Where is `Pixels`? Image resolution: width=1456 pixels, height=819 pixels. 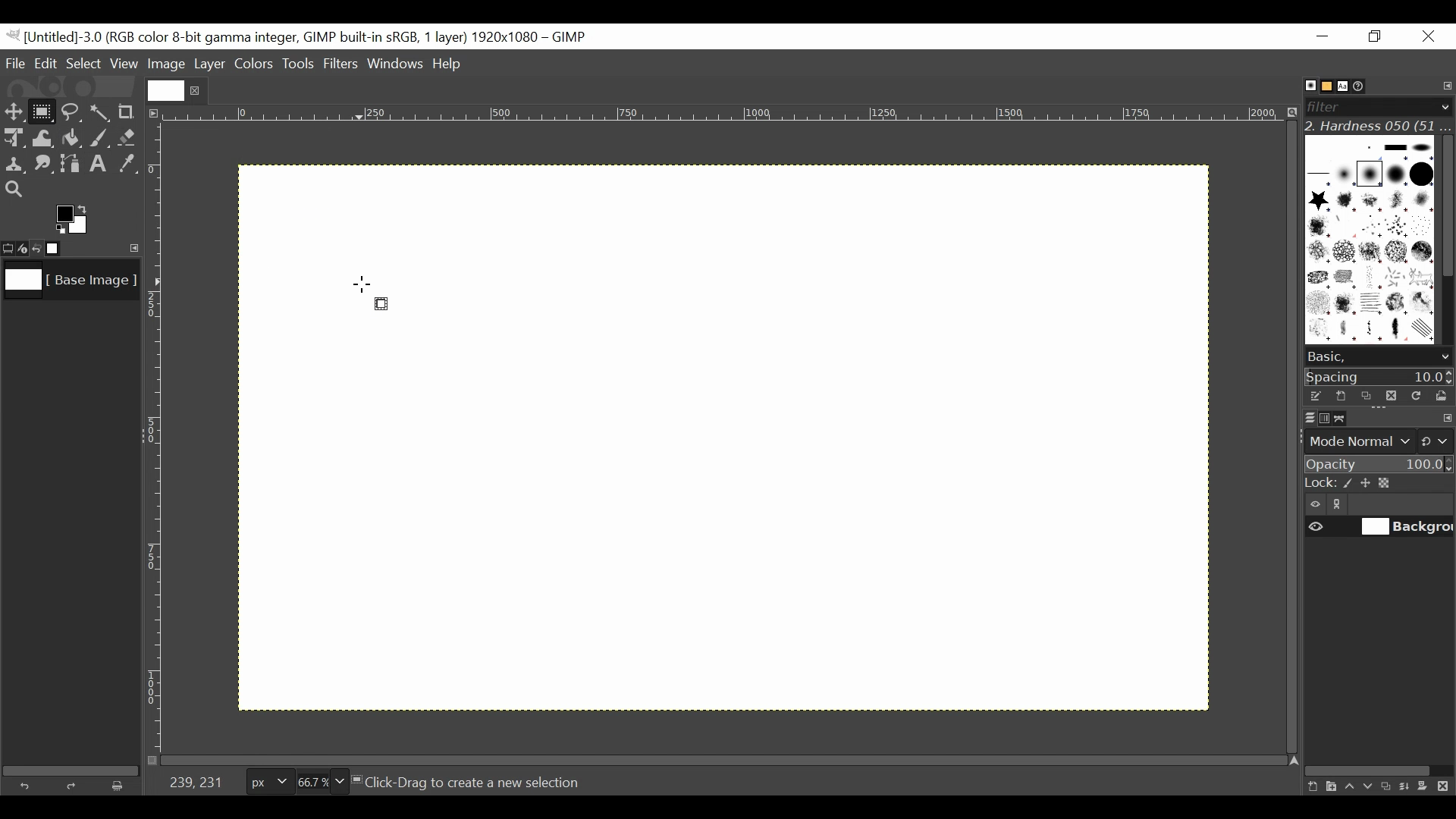 Pixels is located at coordinates (266, 779).